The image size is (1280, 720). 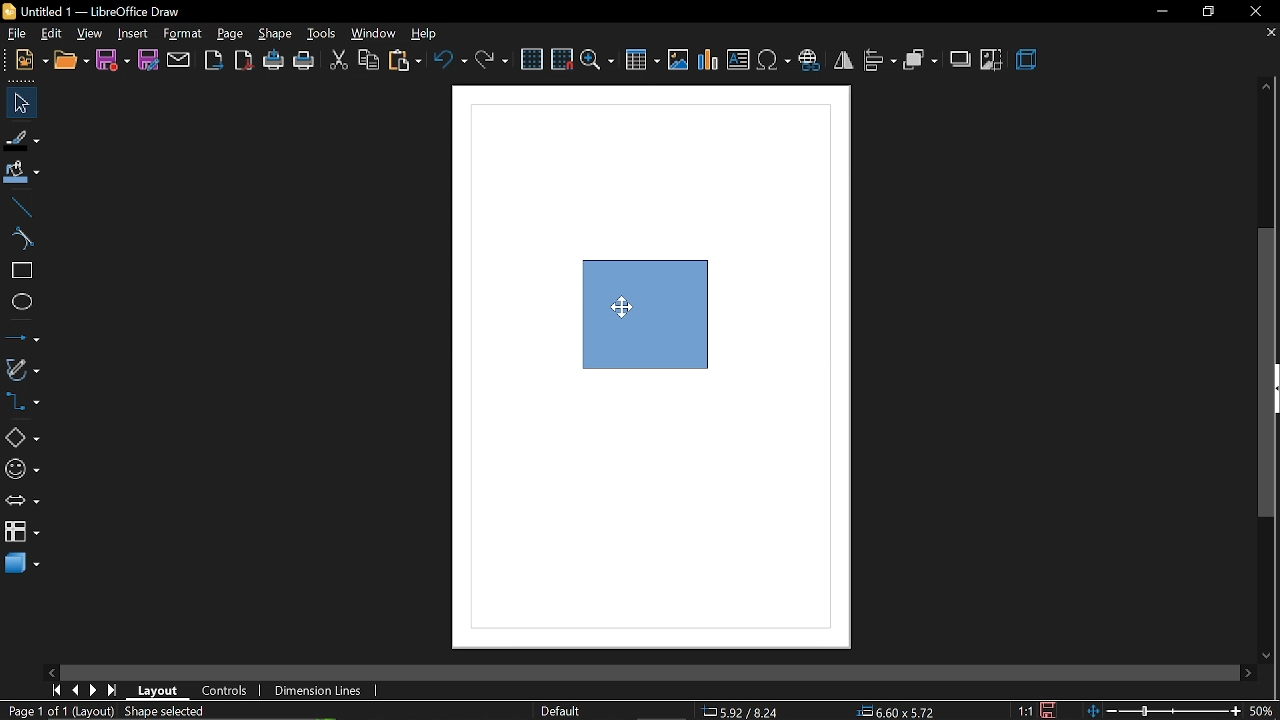 I want to click on Insert chart, so click(x=709, y=61).